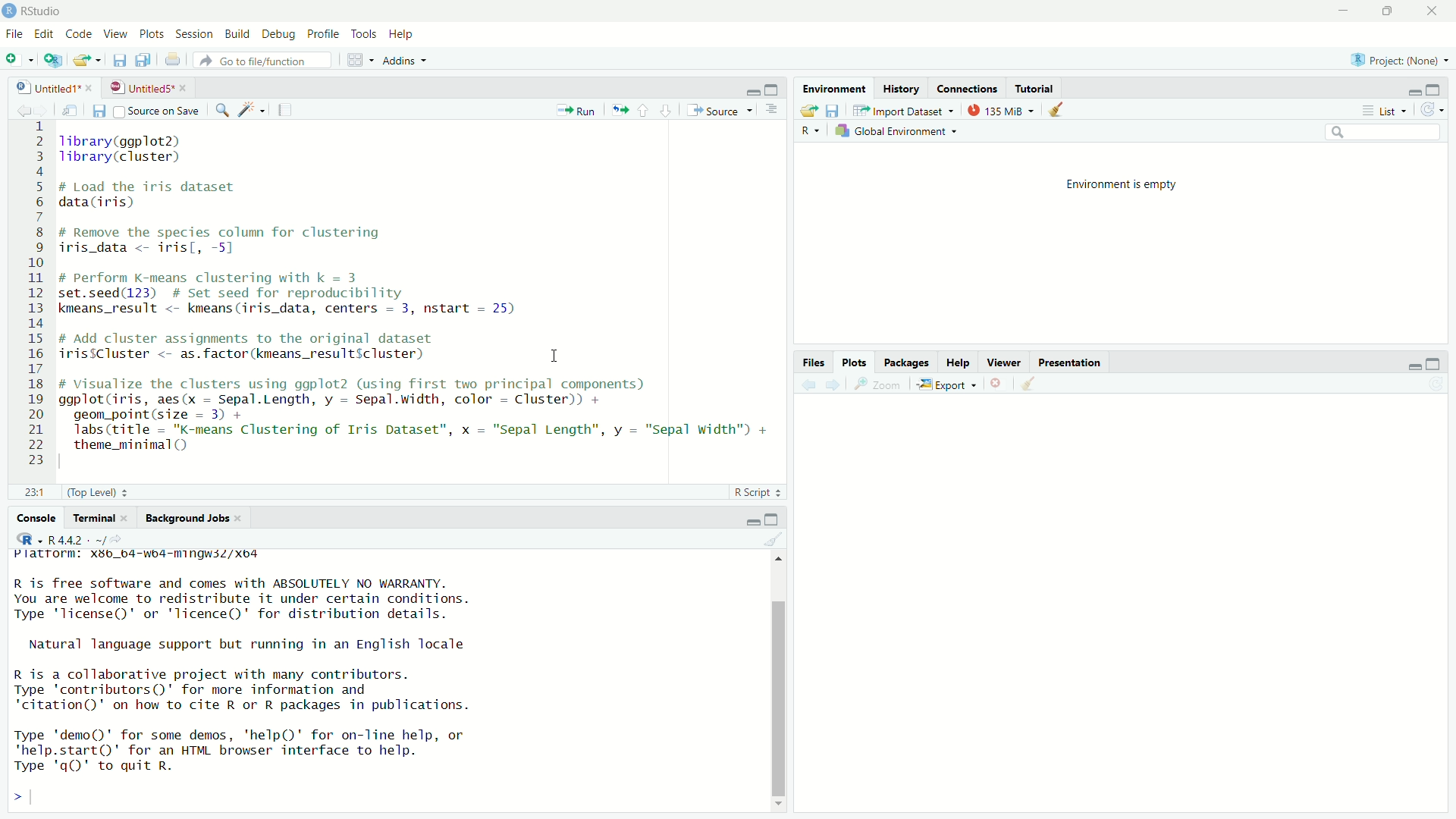 This screenshot has width=1456, height=819. Describe the element at coordinates (263, 60) in the screenshot. I see `go to file/function` at that location.